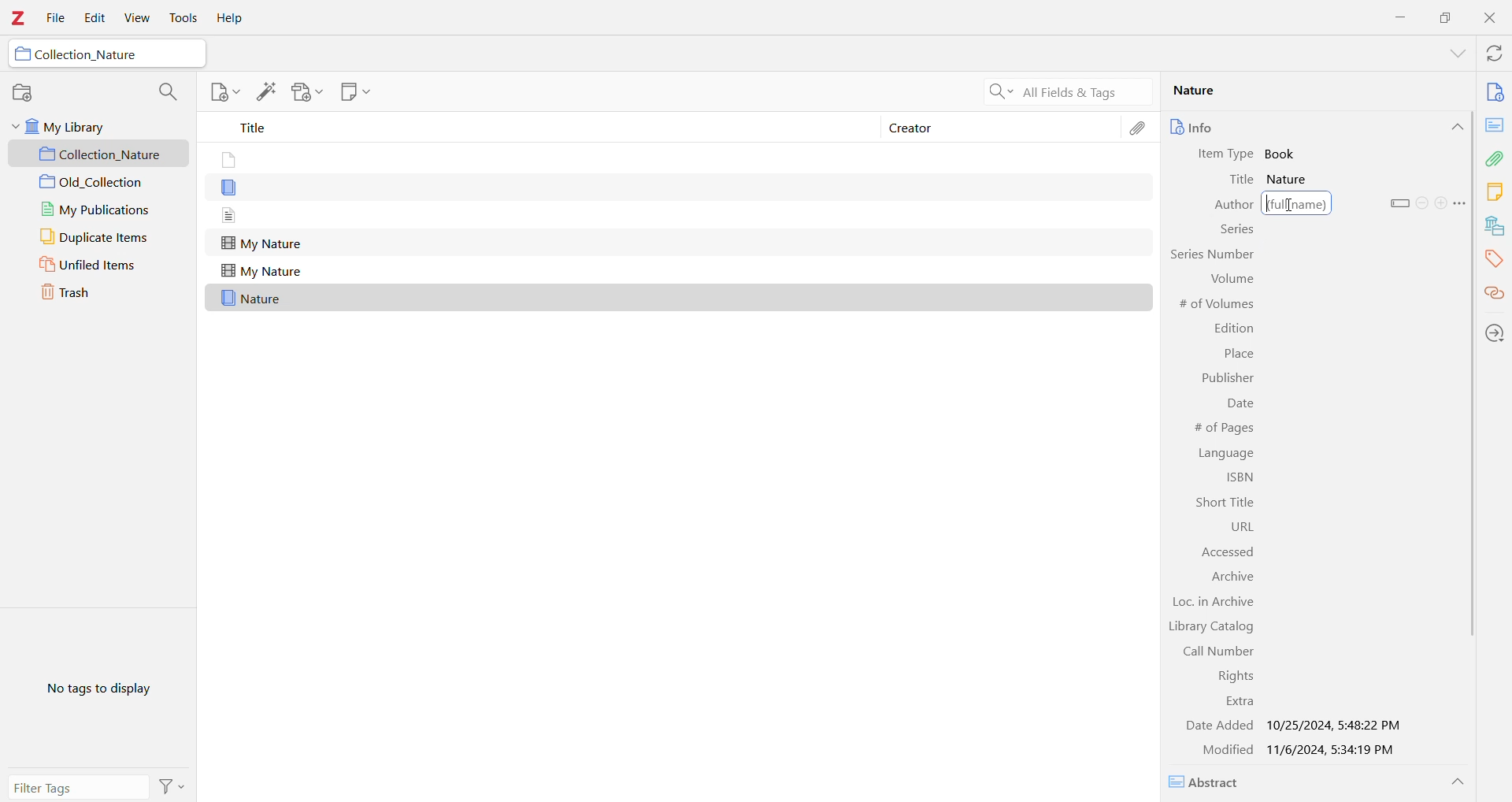 The image size is (1512, 802). I want to click on text cursor, so click(1293, 206).